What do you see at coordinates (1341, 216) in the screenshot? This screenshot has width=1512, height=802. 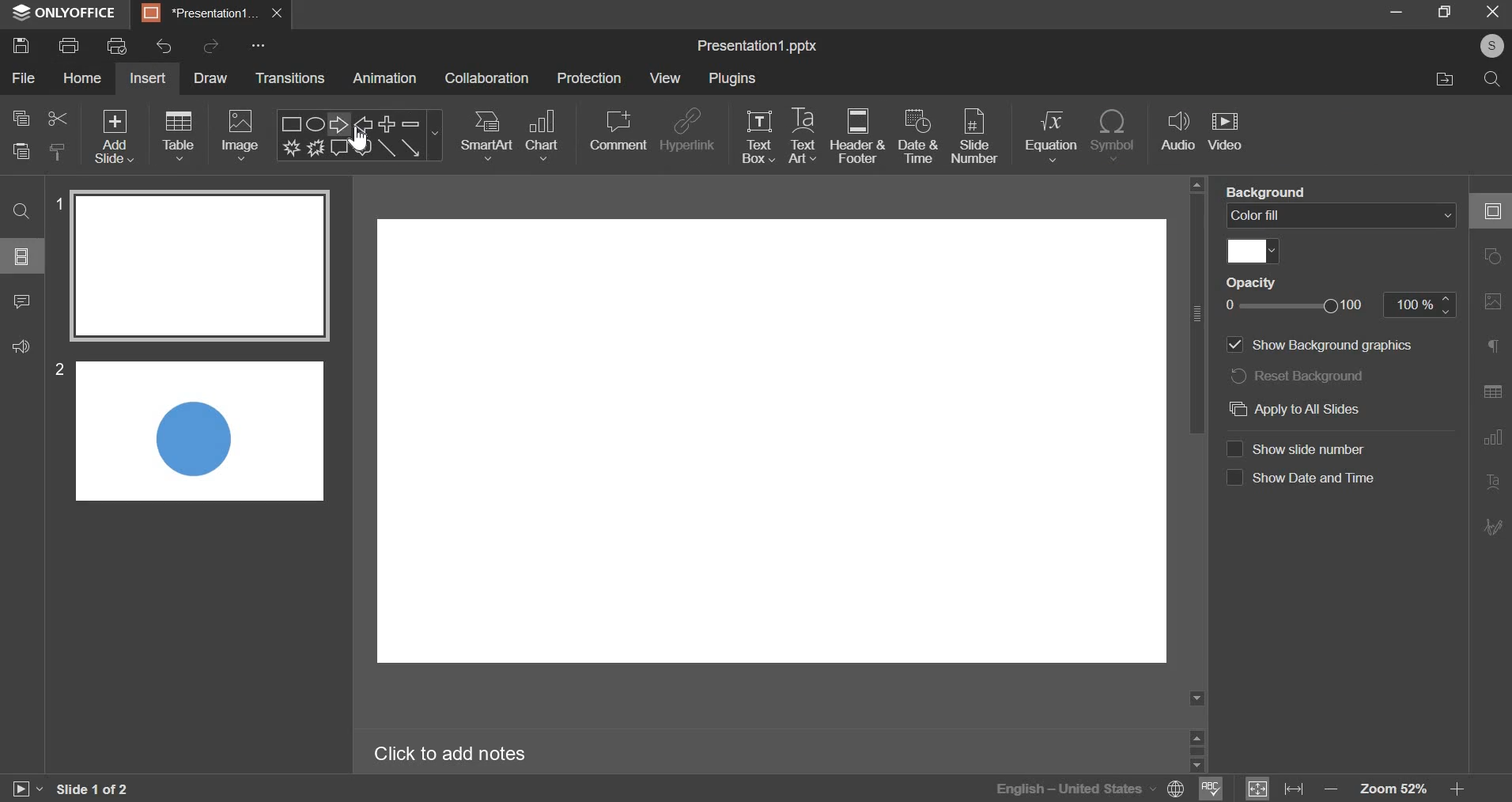 I see `color fill` at bounding box center [1341, 216].